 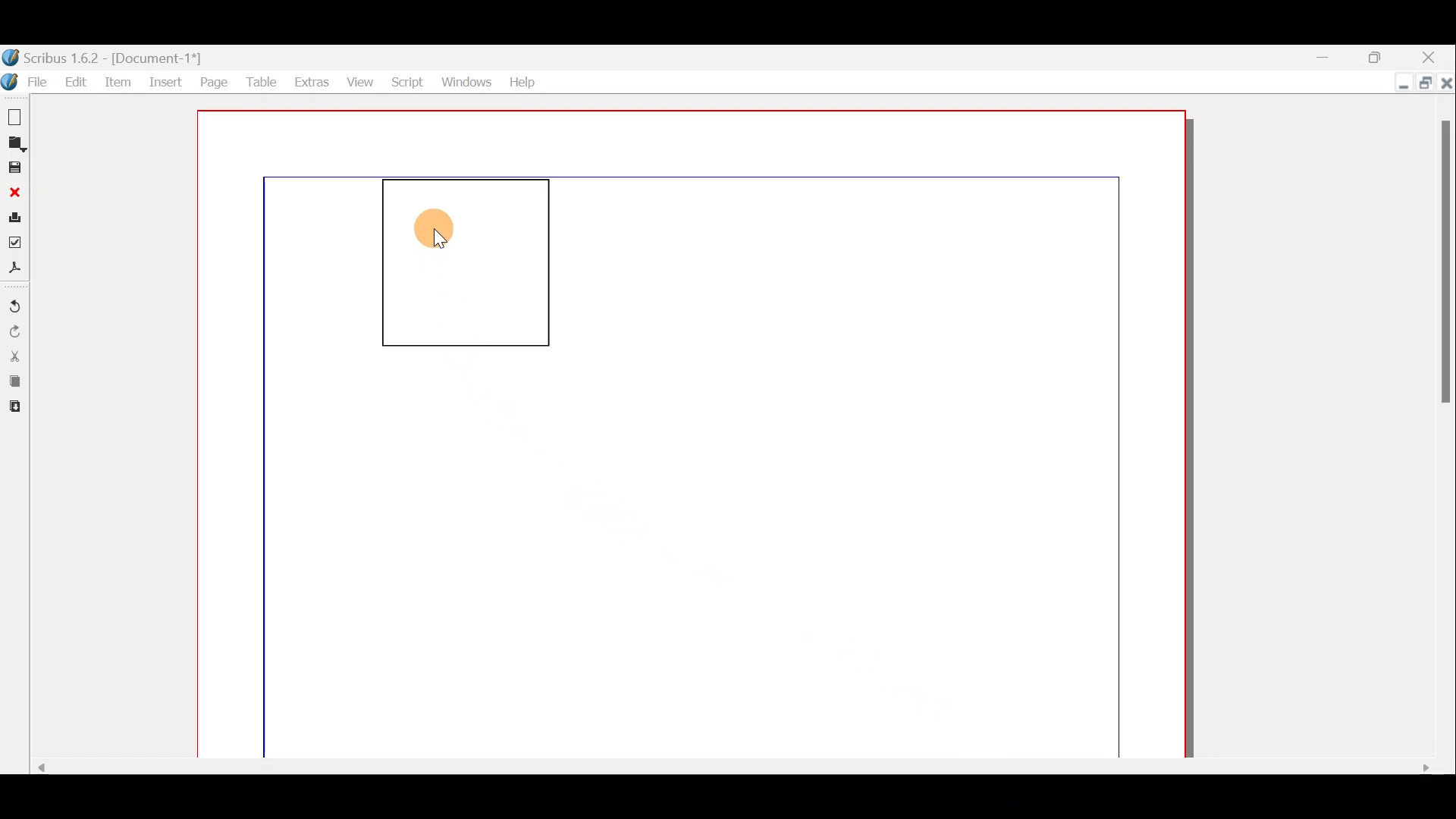 I want to click on Table, so click(x=260, y=83).